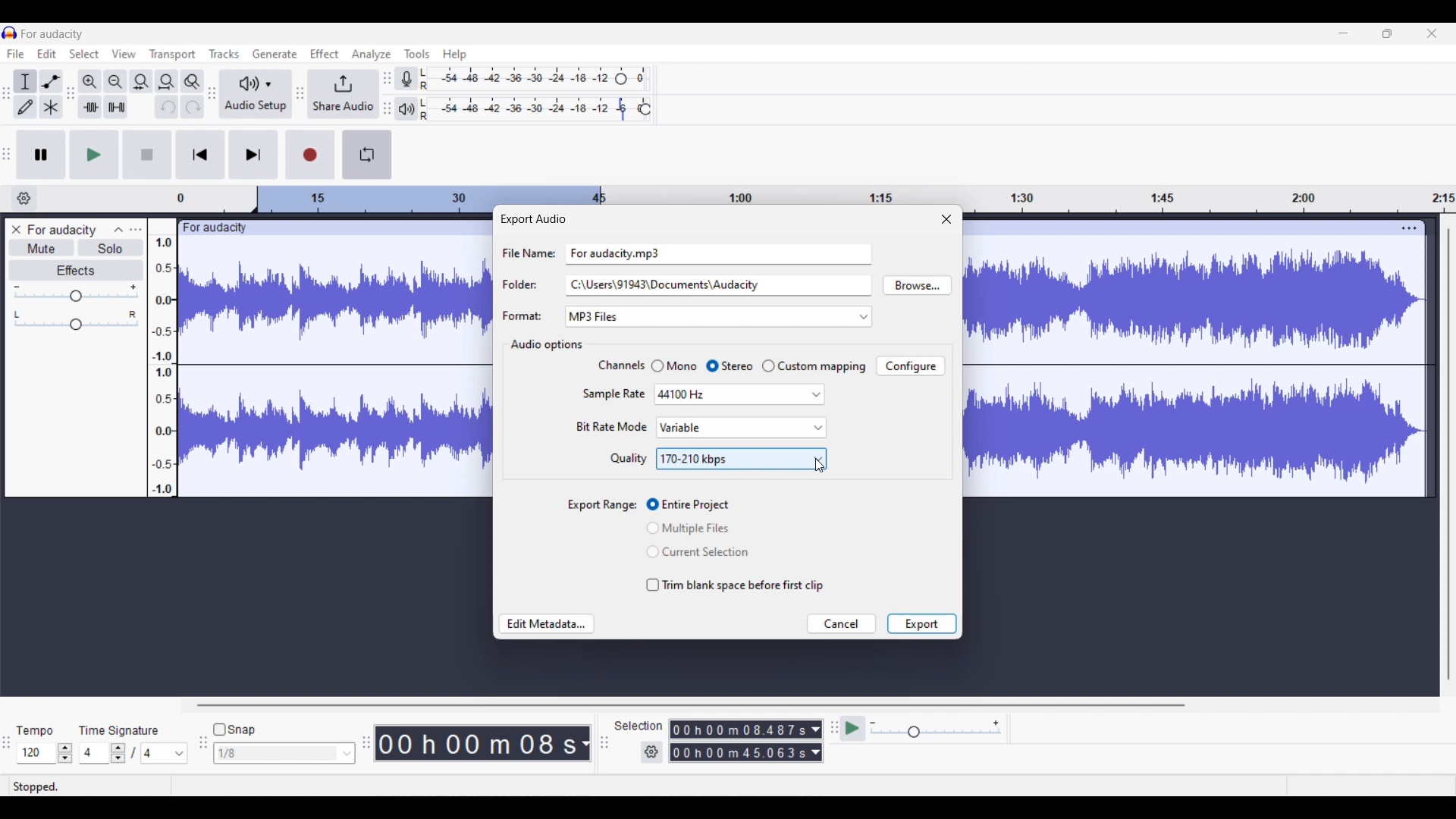 The image size is (1456, 819). What do you see at coordinates (472, 742) in the screenshot?
I see `Current timestamp of track` at bounding box center [472, 742].